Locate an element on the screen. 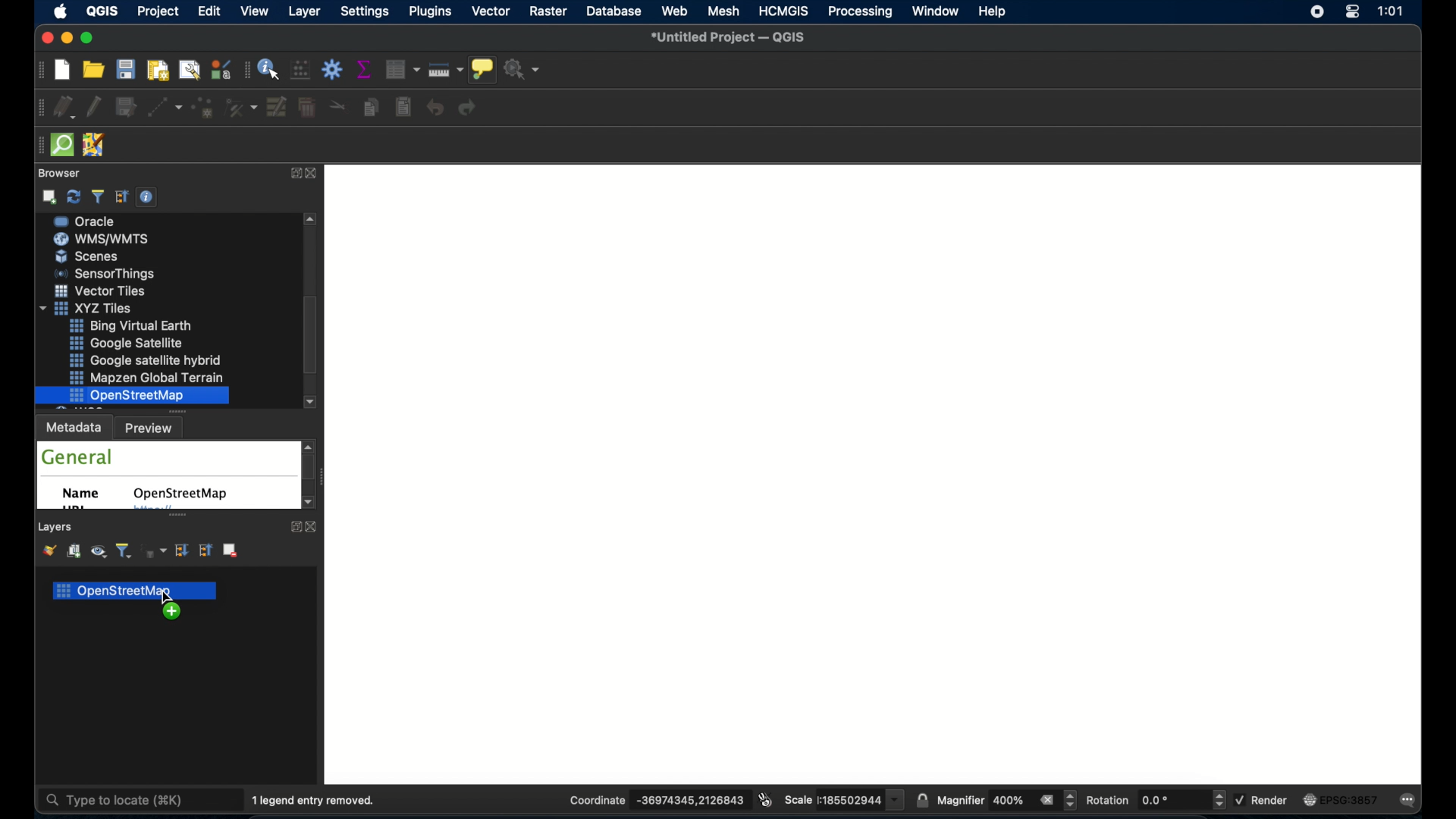  URL is located at coordinates (74, 509).